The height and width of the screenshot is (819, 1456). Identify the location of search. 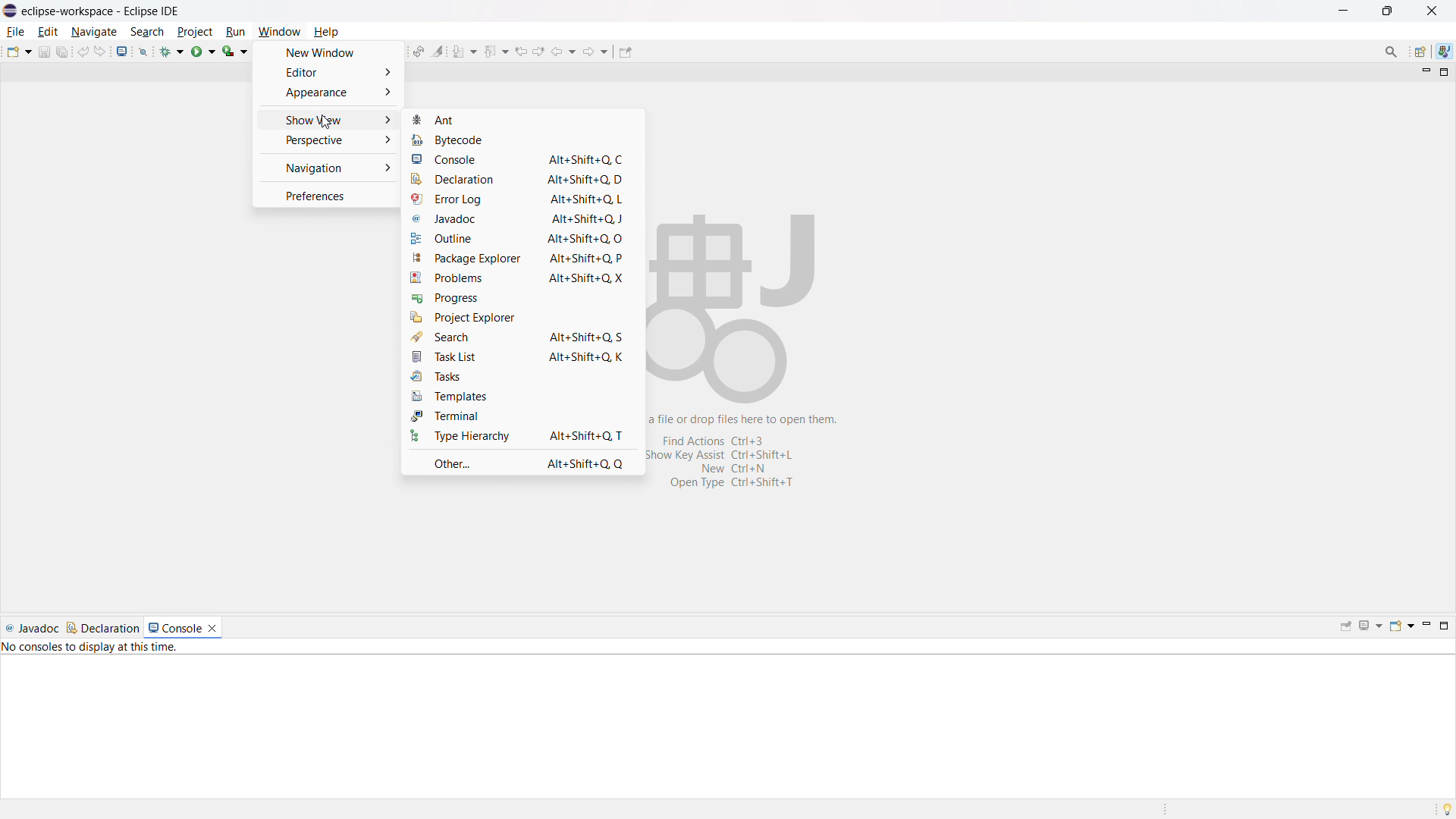
(522, 337).